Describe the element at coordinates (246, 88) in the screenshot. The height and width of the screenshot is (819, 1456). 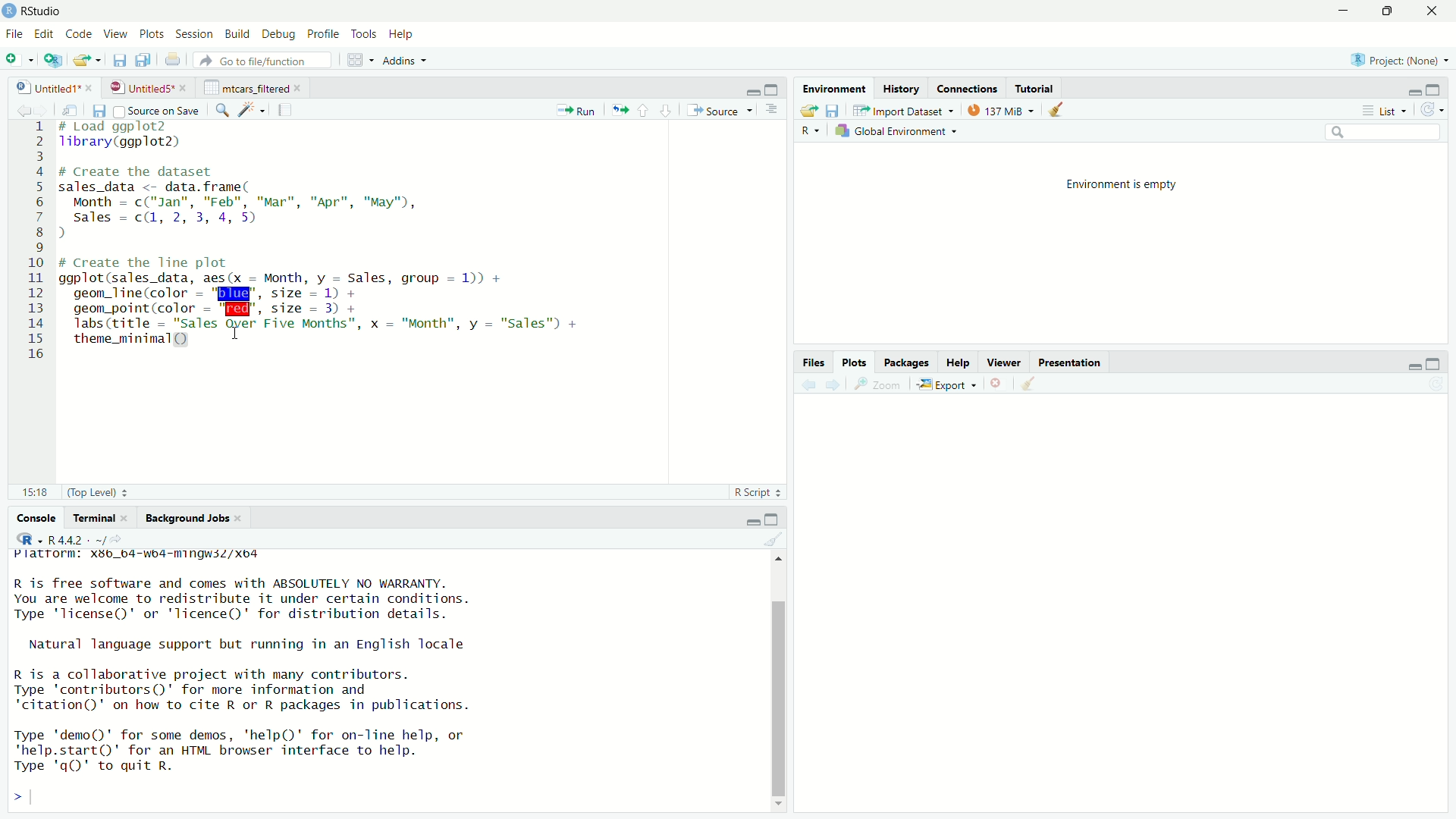
I see `mtcars_filtered` at that location.